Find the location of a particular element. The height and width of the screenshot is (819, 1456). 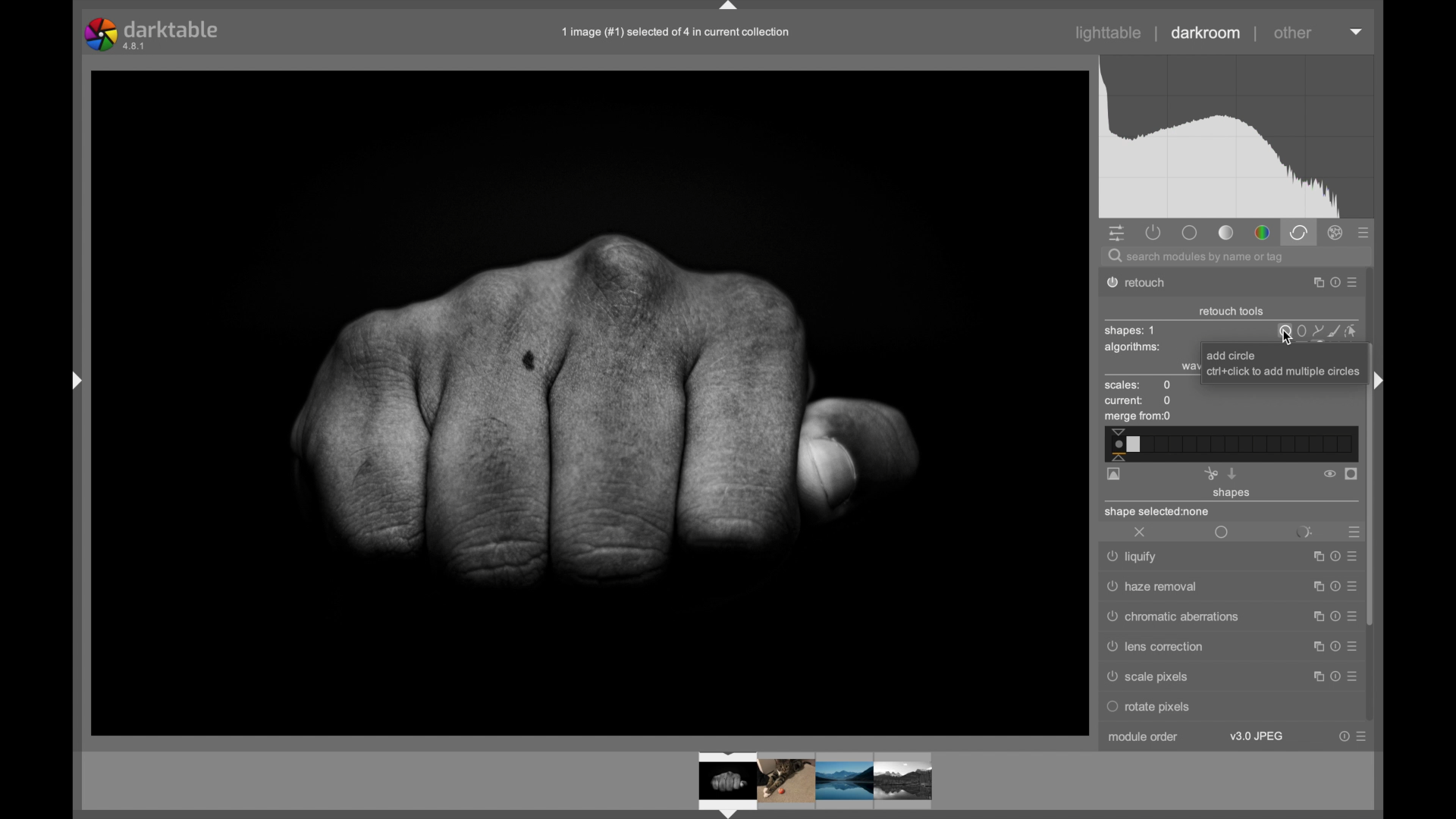

more options is located at coordinates (1352, 585).